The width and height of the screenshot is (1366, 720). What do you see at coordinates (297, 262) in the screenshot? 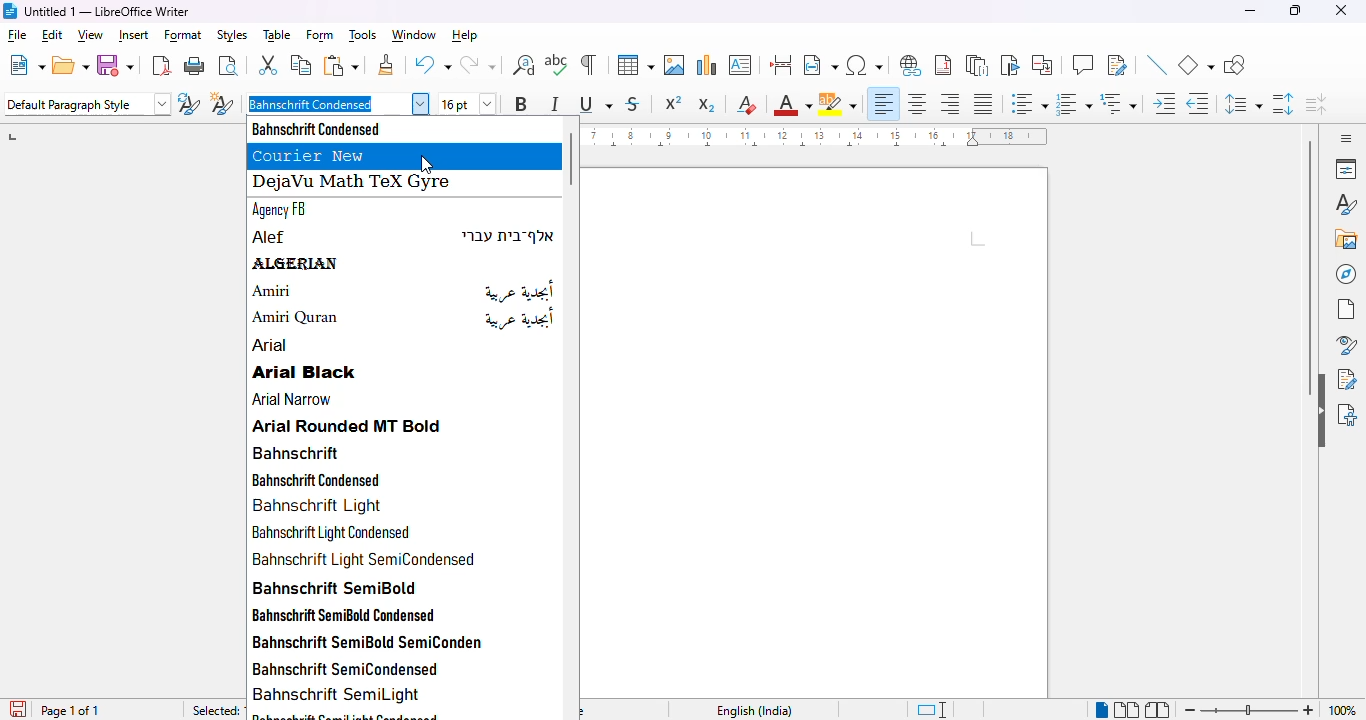
I see `algerian` at bounding box center [297, 262].